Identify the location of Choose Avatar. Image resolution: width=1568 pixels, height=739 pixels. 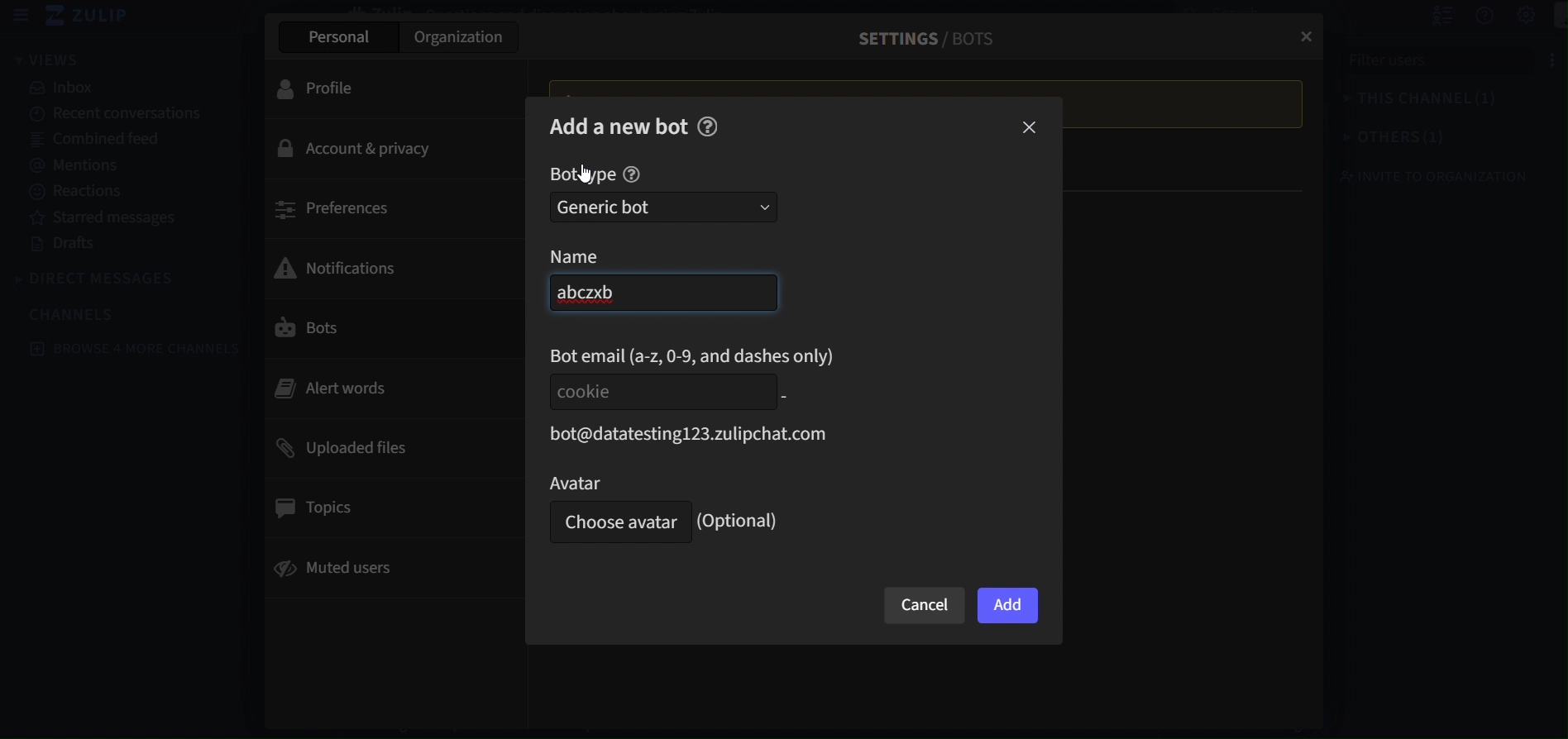
(616, 523).